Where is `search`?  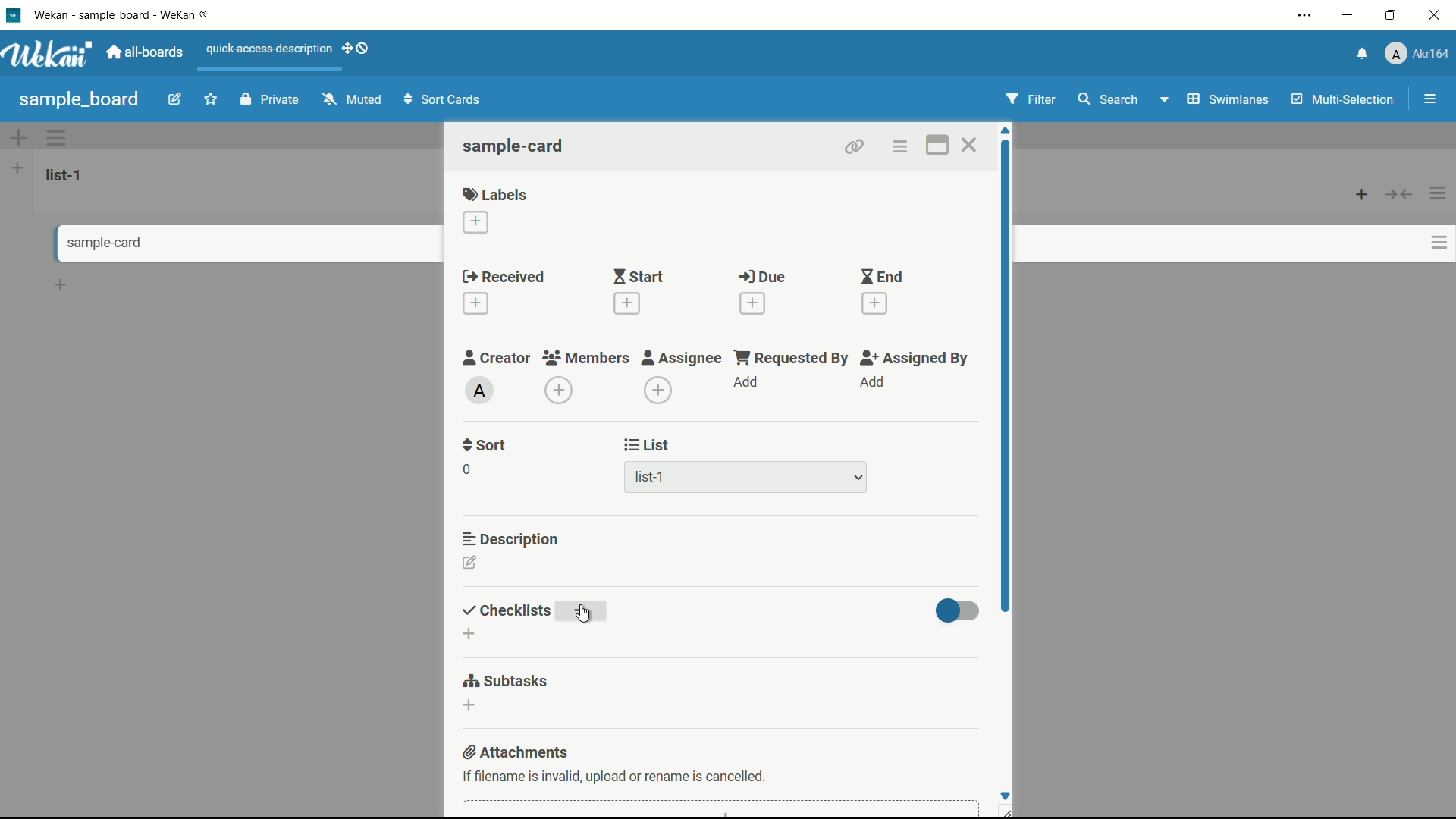 search is located at coordinates (1106, 99).